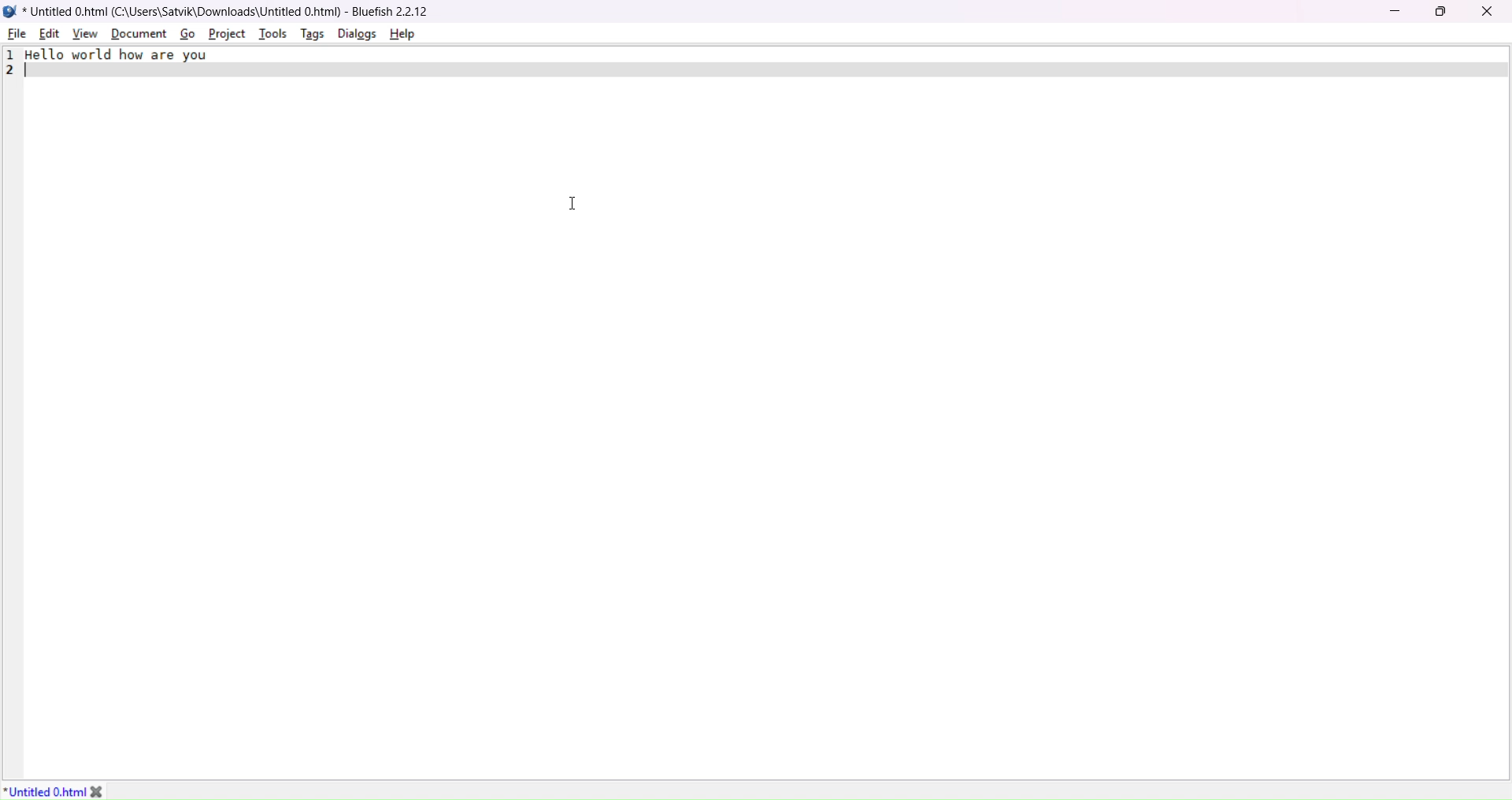 The height and width of the screenshot is (800, 1512). What do you see at coordinates (1393, 12) in the screenshot?
I see `minimize` at bounding box center [1393, 12].